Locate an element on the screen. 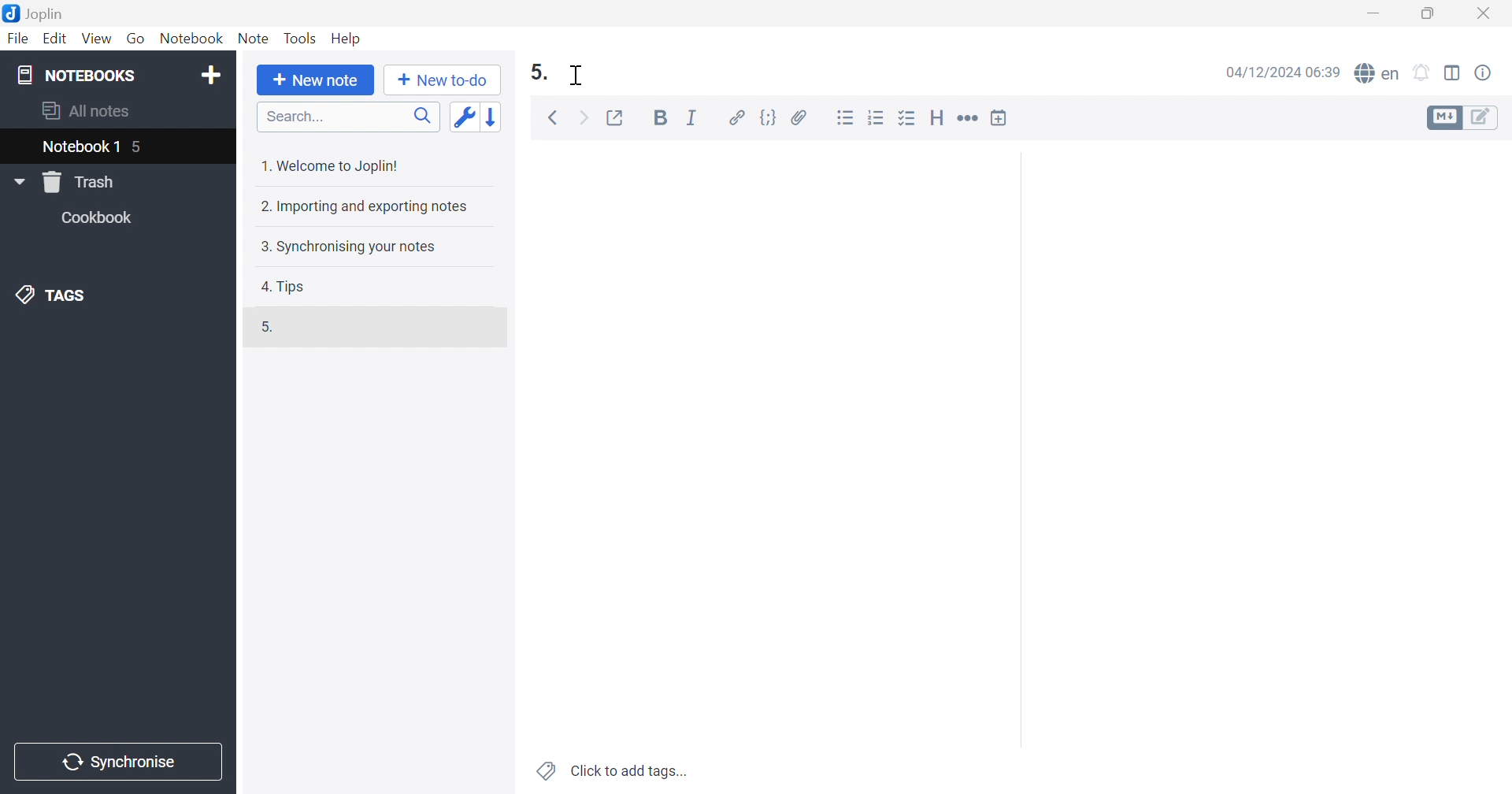  Click to add tags is located at coordinates (609, 773).